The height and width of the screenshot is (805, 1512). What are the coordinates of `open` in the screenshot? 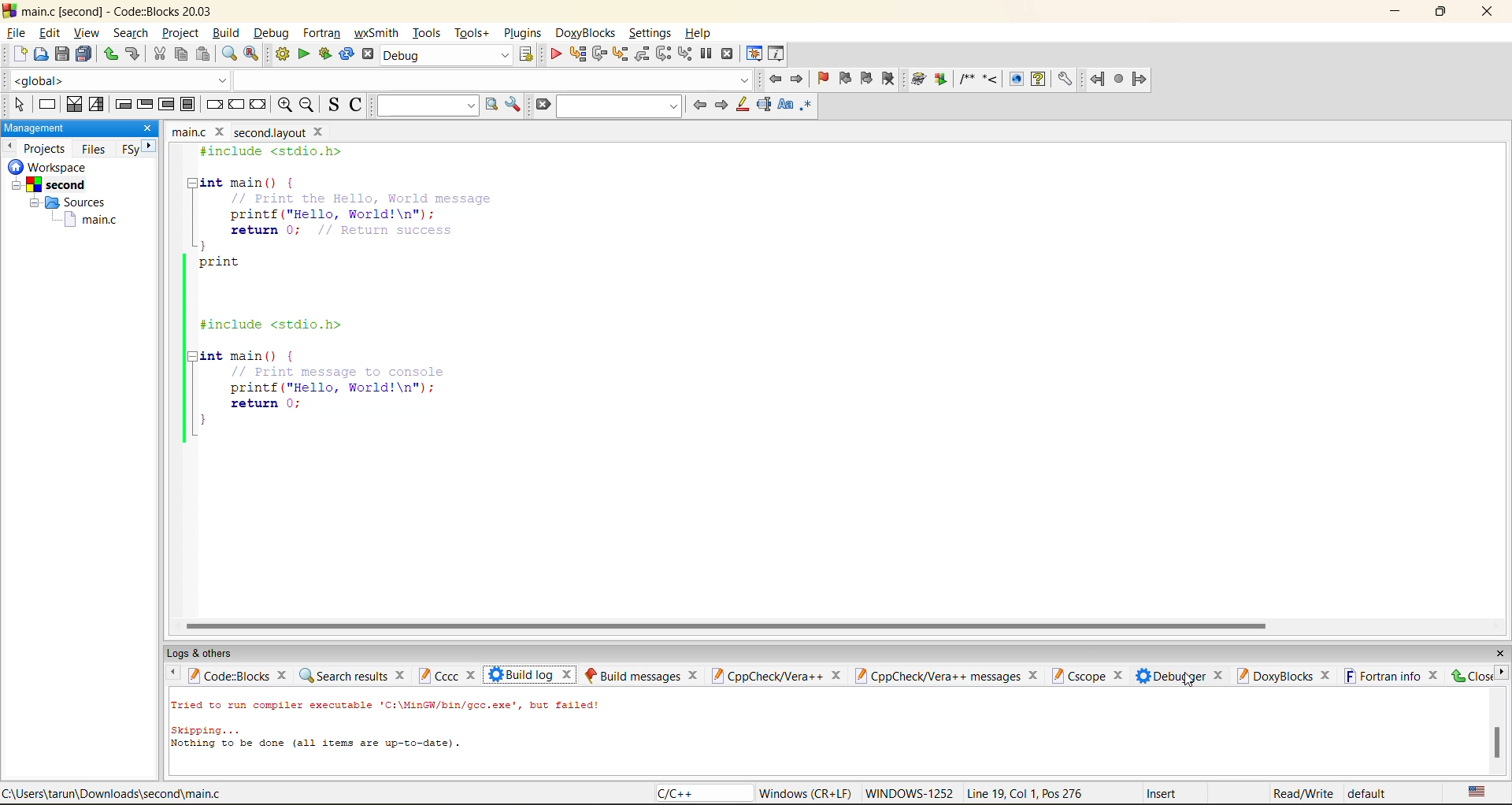 It's located at (38, 57).